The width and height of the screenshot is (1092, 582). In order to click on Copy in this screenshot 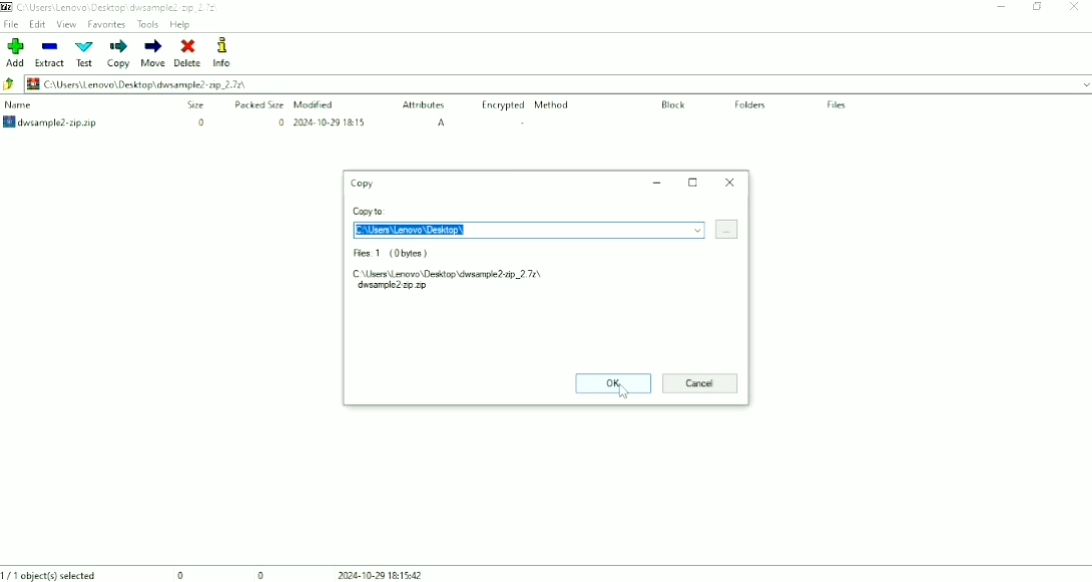, I will do `click(360, 183)`.